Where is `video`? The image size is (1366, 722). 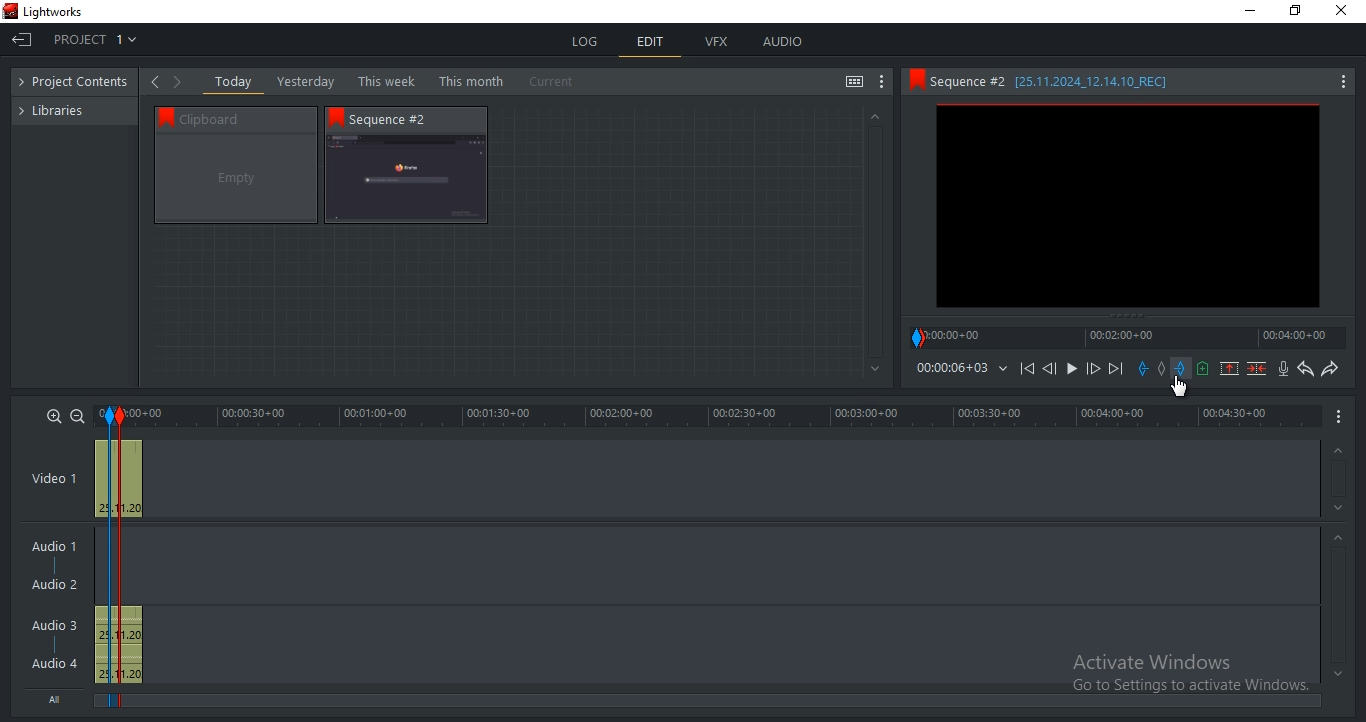 video is located at coordinates (119, 476).